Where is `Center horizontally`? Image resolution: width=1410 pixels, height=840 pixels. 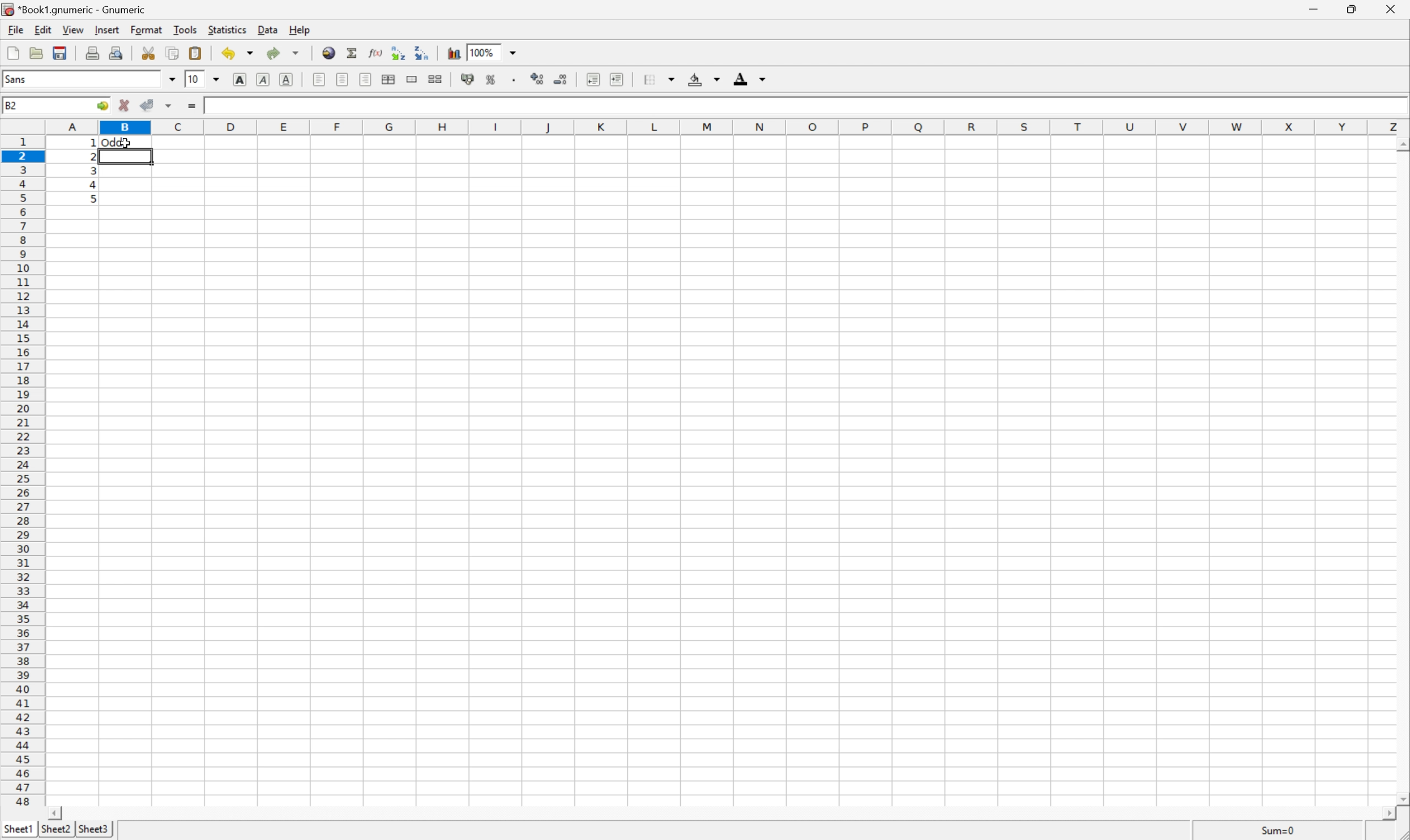
Center horizontally is located at coordinates (342, 78).